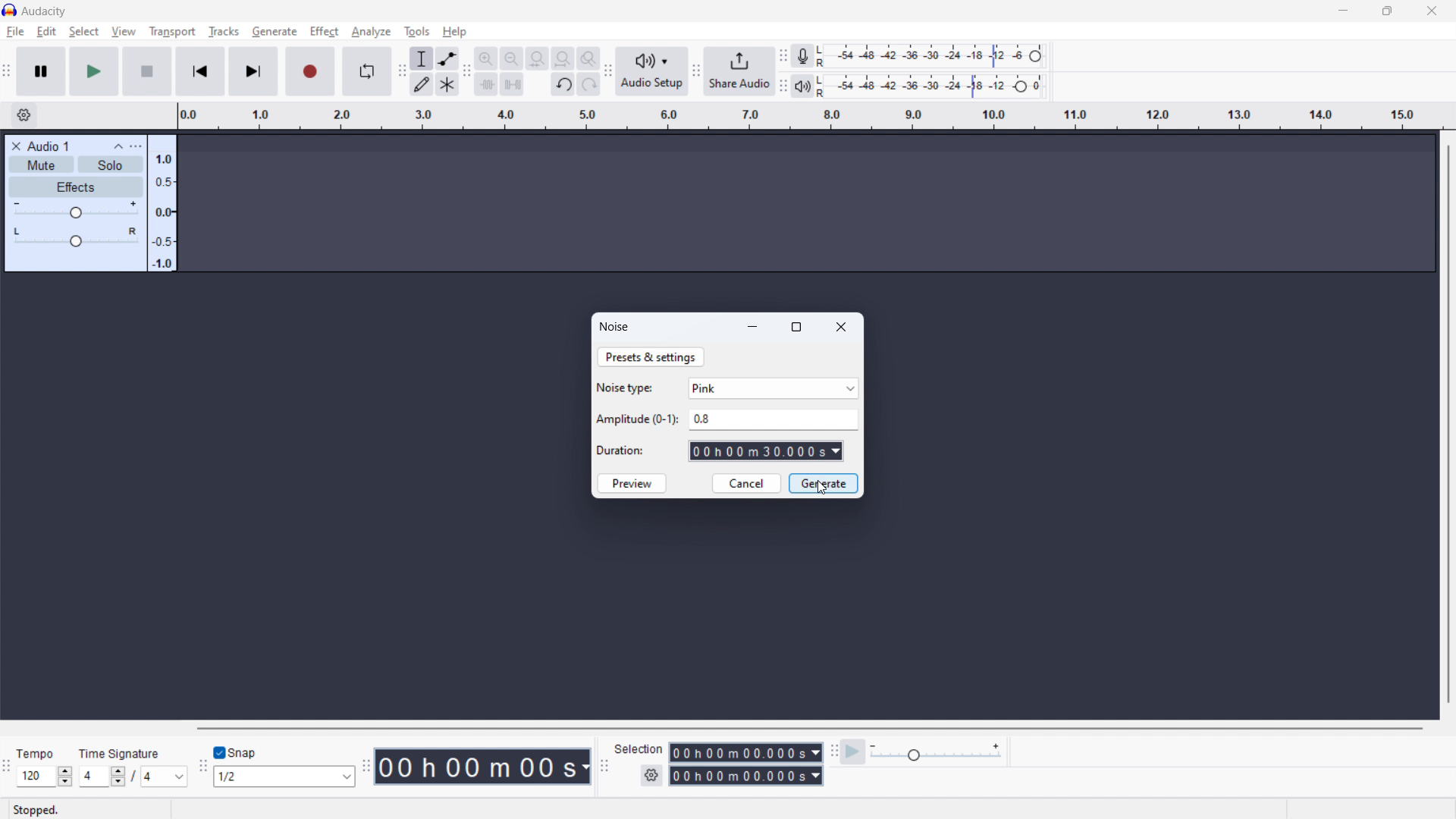 The width and height of the screenshot is (1456, 819). Describe the element at coordinates (807, 728) in the screenshot. I see `horizontal scrollbar` at that location.